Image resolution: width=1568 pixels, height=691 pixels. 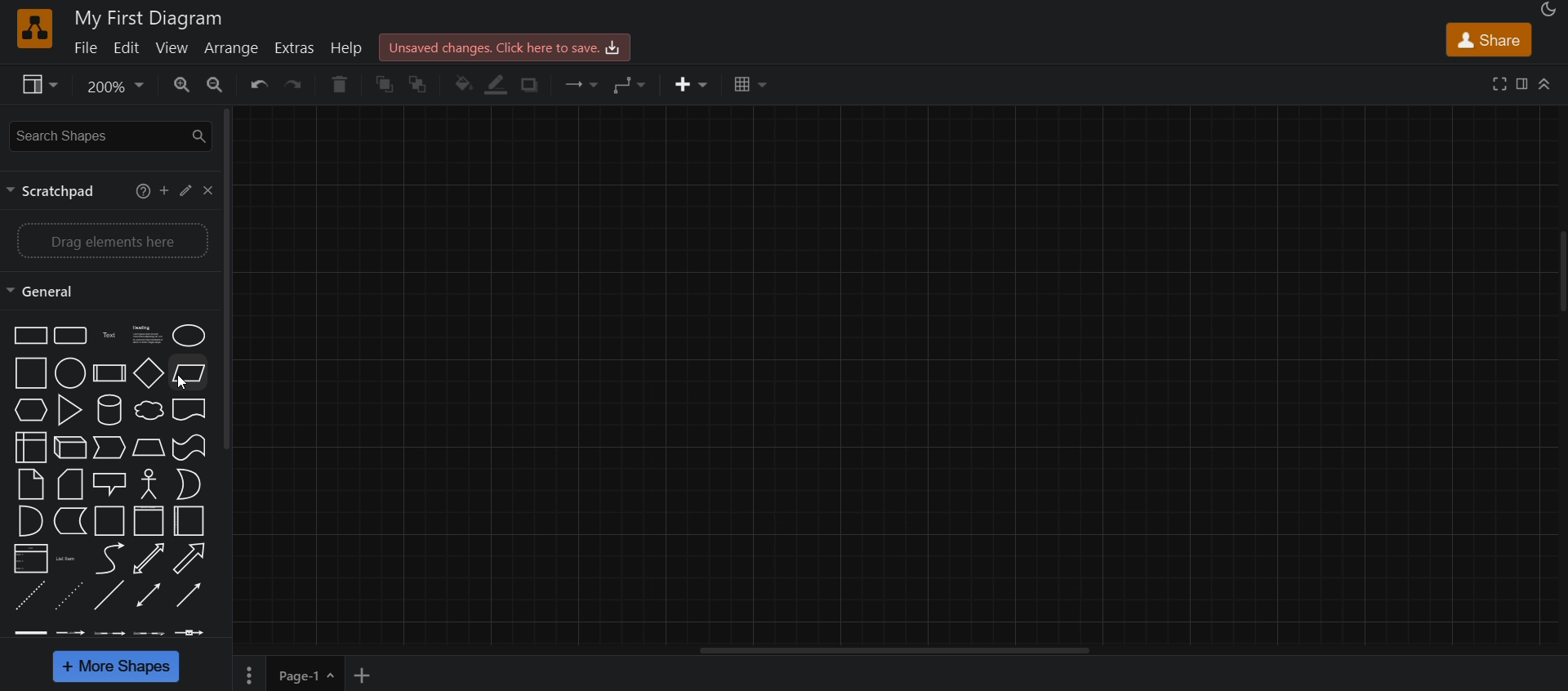 I want to click on line color, so click(x=501, y=83).